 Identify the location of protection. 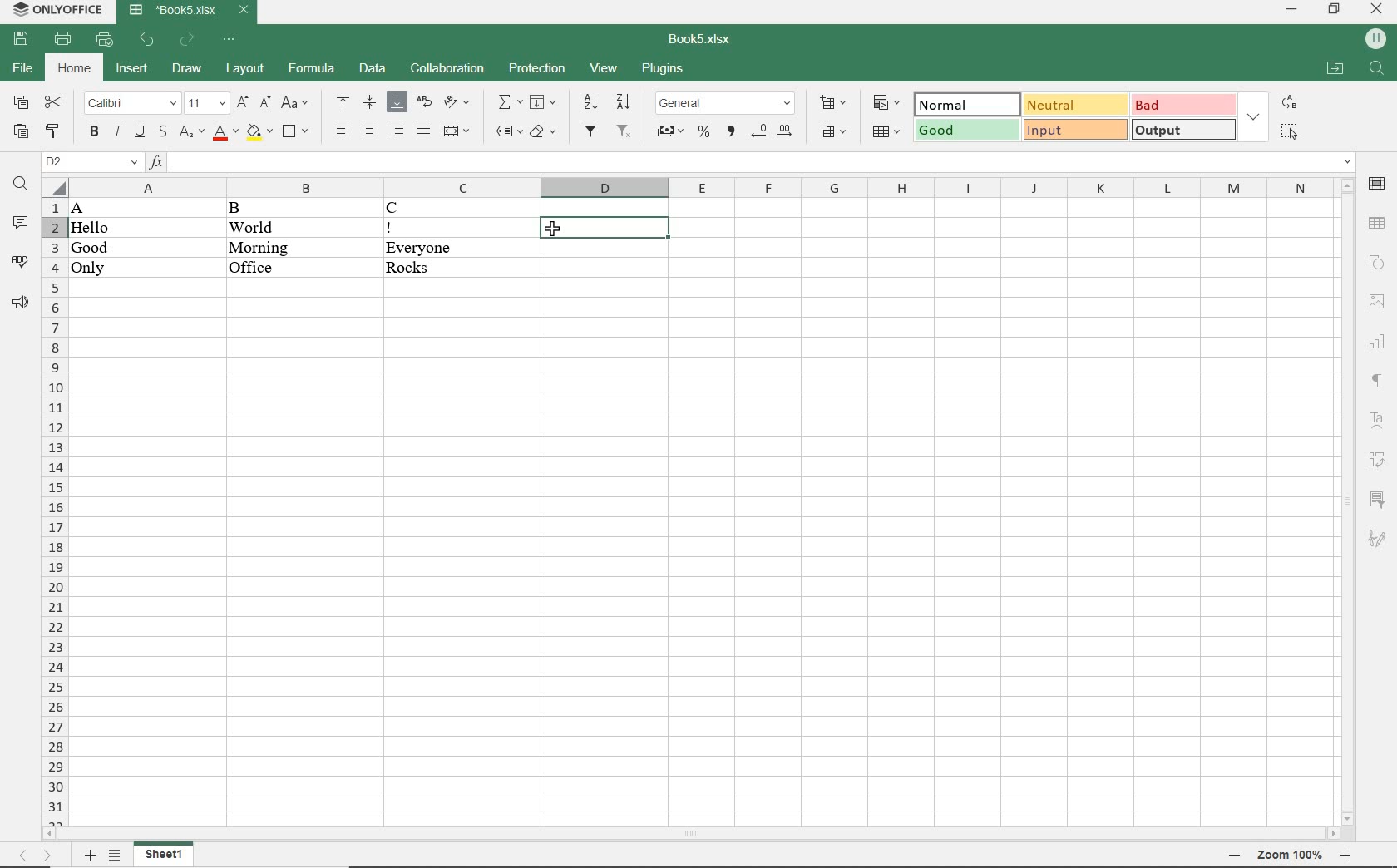
(539, 70).